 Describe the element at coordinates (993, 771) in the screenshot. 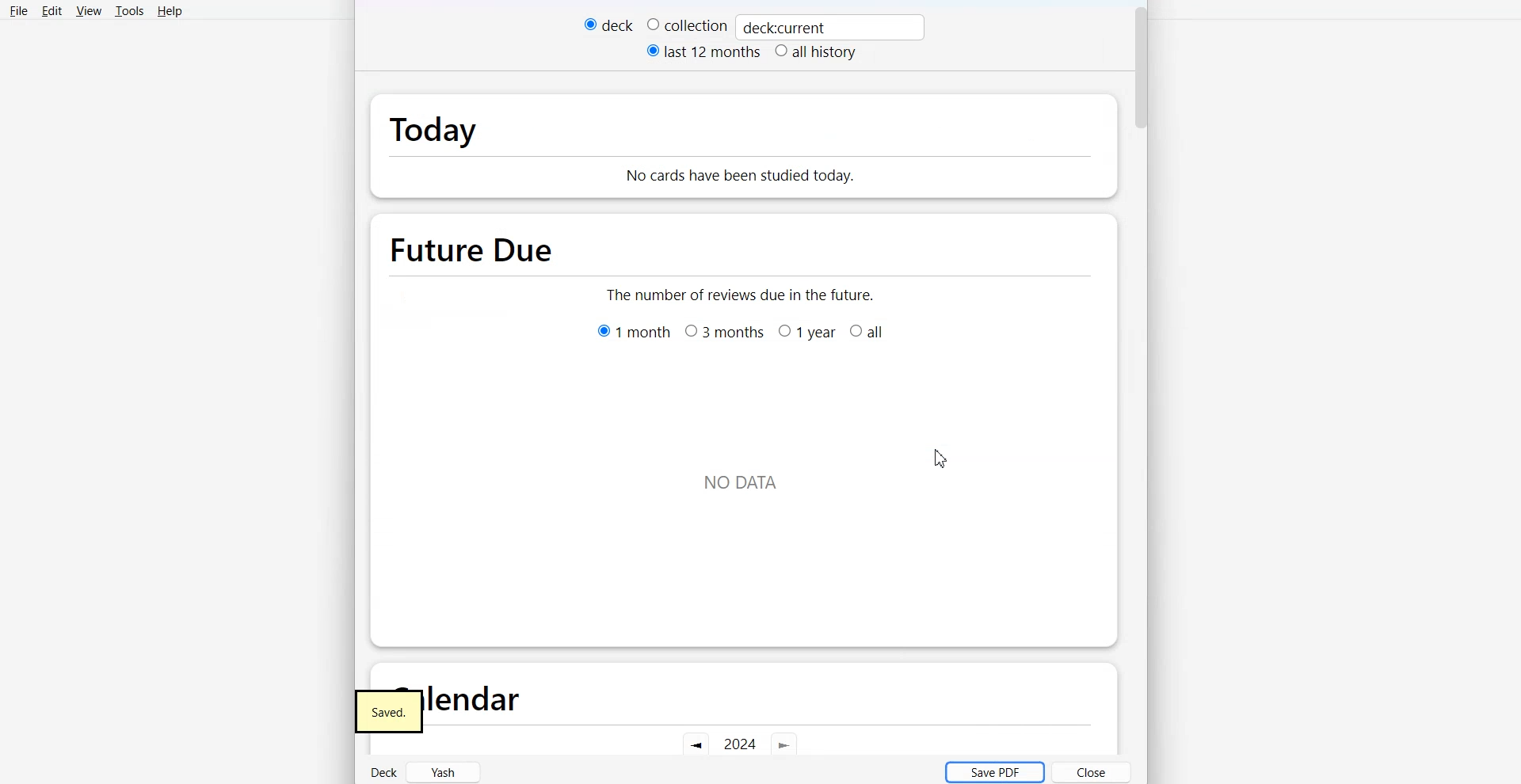

I see `Save PDF` at that location.